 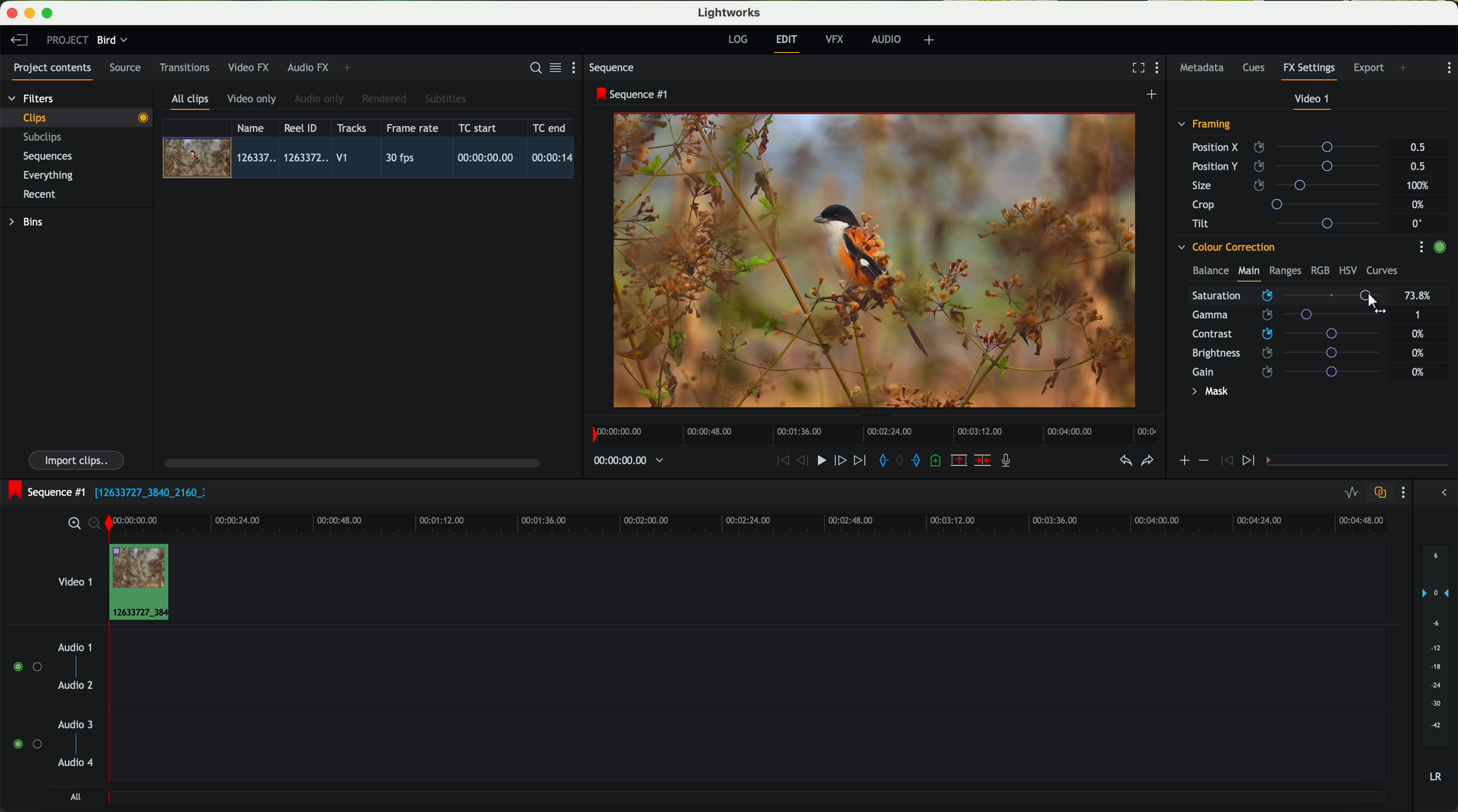 I want to click on rewind, so click(x=782, y=461).